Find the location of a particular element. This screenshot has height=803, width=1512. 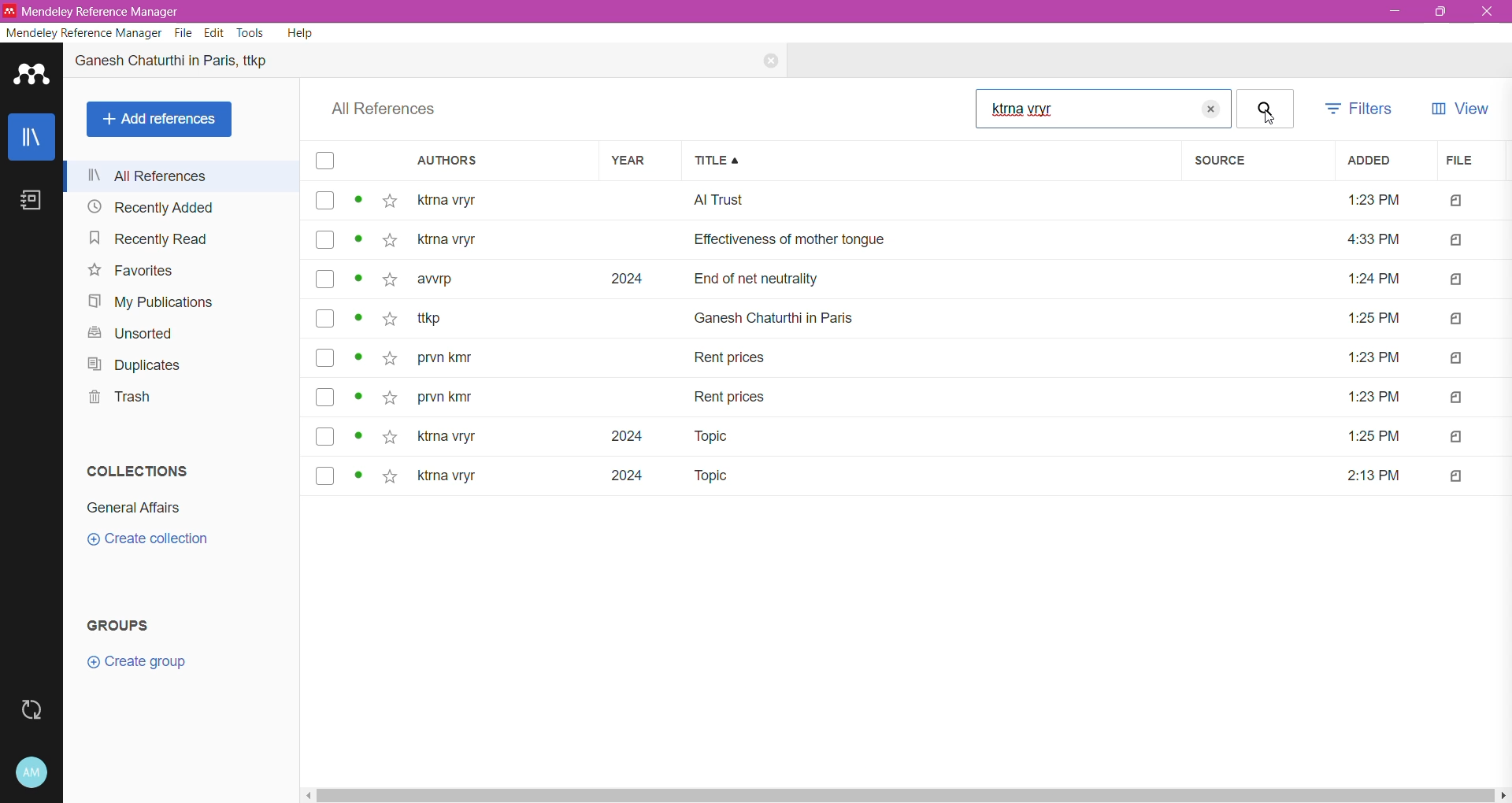

Groups is located at coordinates (128, 624).